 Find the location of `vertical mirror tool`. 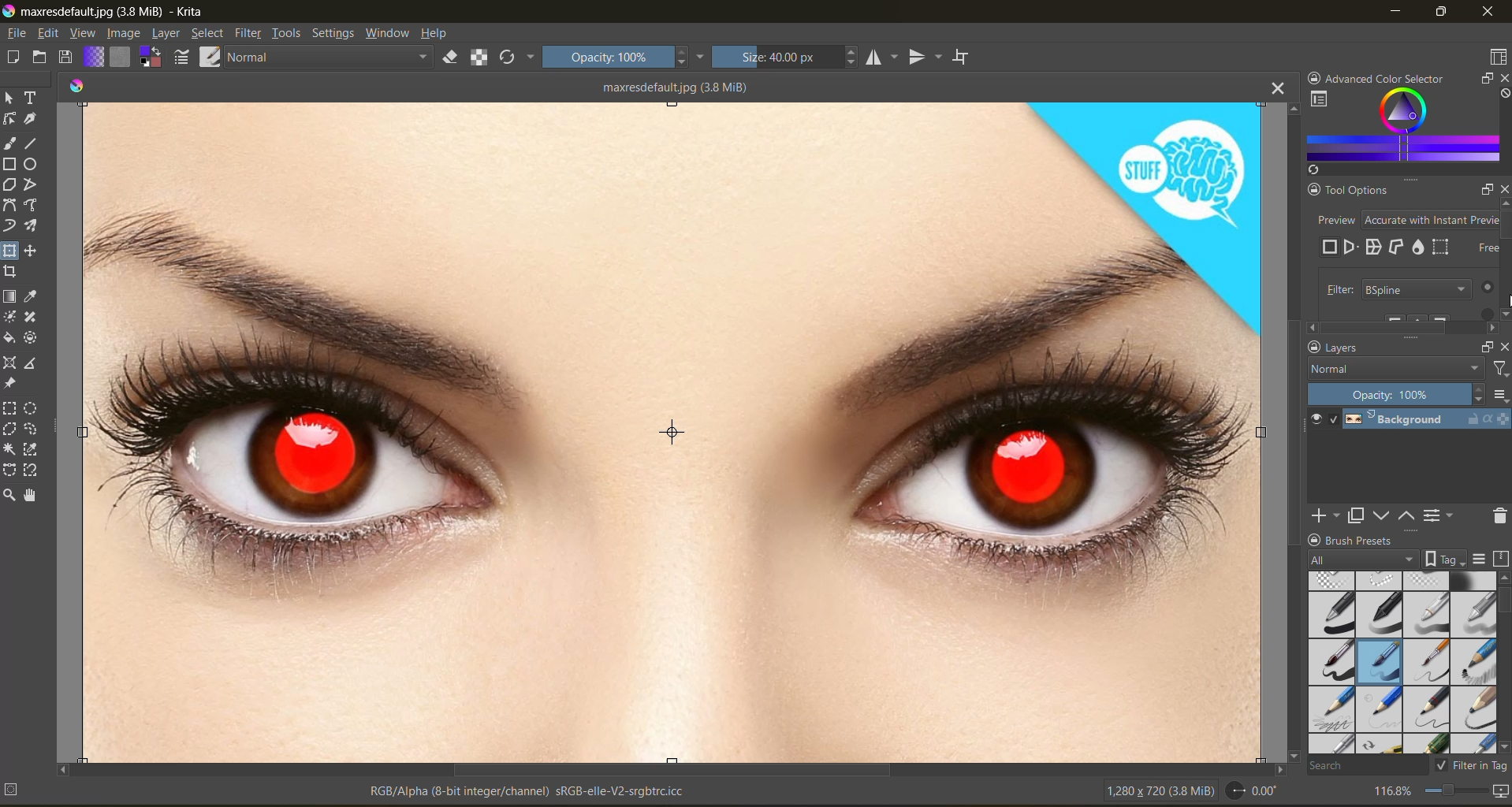

vertical mirror tool is located at coordinates (928, 58).